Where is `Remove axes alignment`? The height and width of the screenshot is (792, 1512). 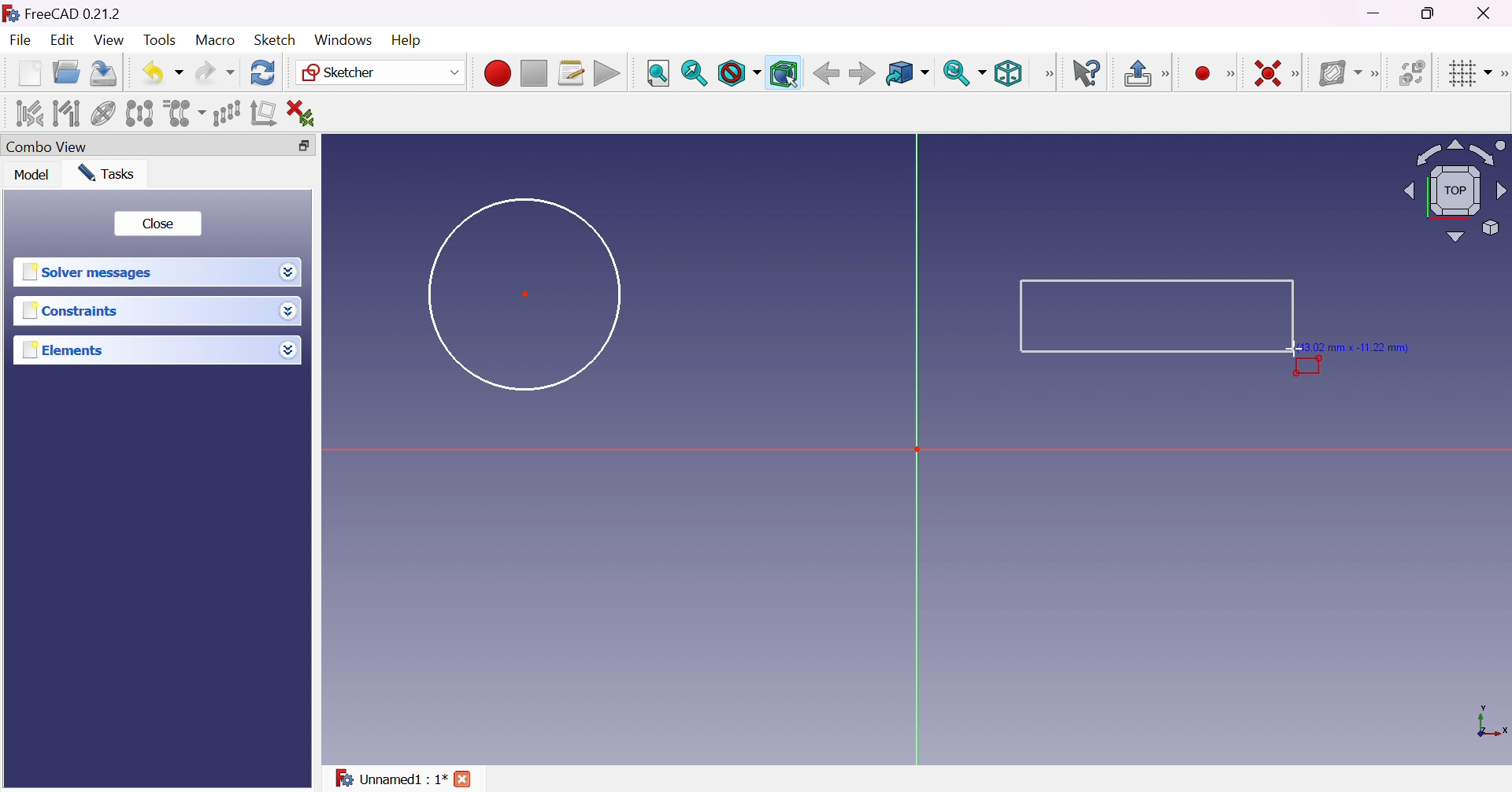 Remove axes alignment is located at coordinates (264, 114).